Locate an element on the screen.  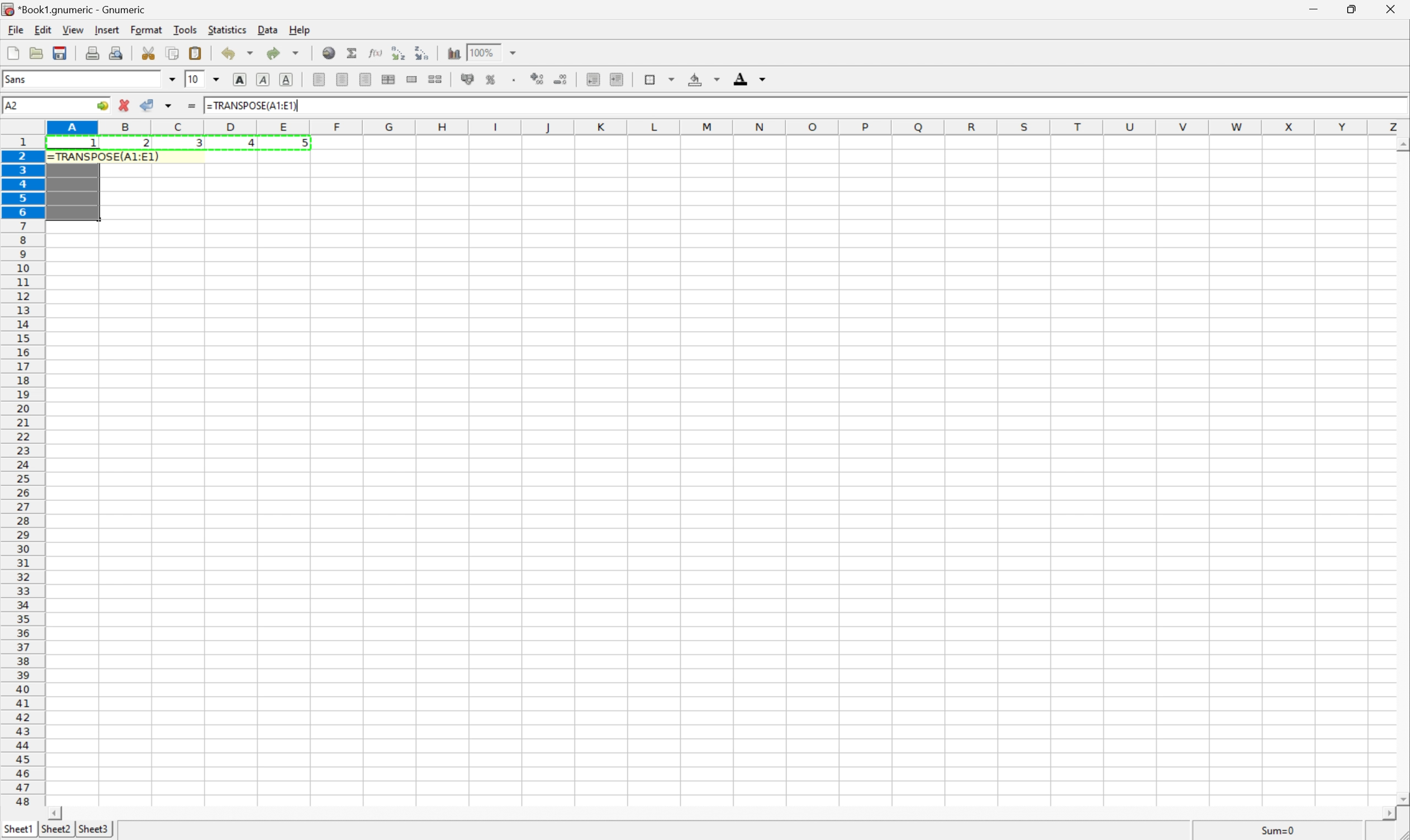
split merged ranges of cells is located at coordinates (437, 78).